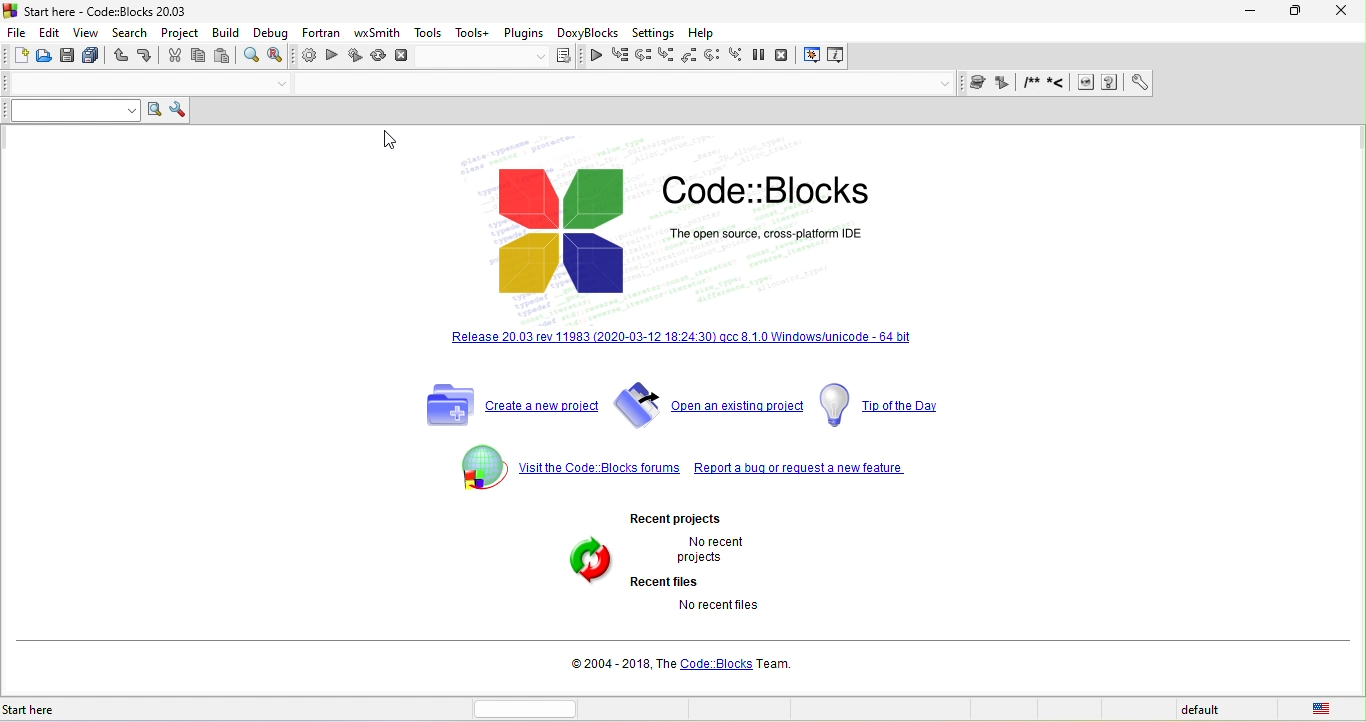 The width and height of the screenshot is (1366, 722). Describe the element at coordinates (94, 40) in the screenshot. I see `cursor` at that location.